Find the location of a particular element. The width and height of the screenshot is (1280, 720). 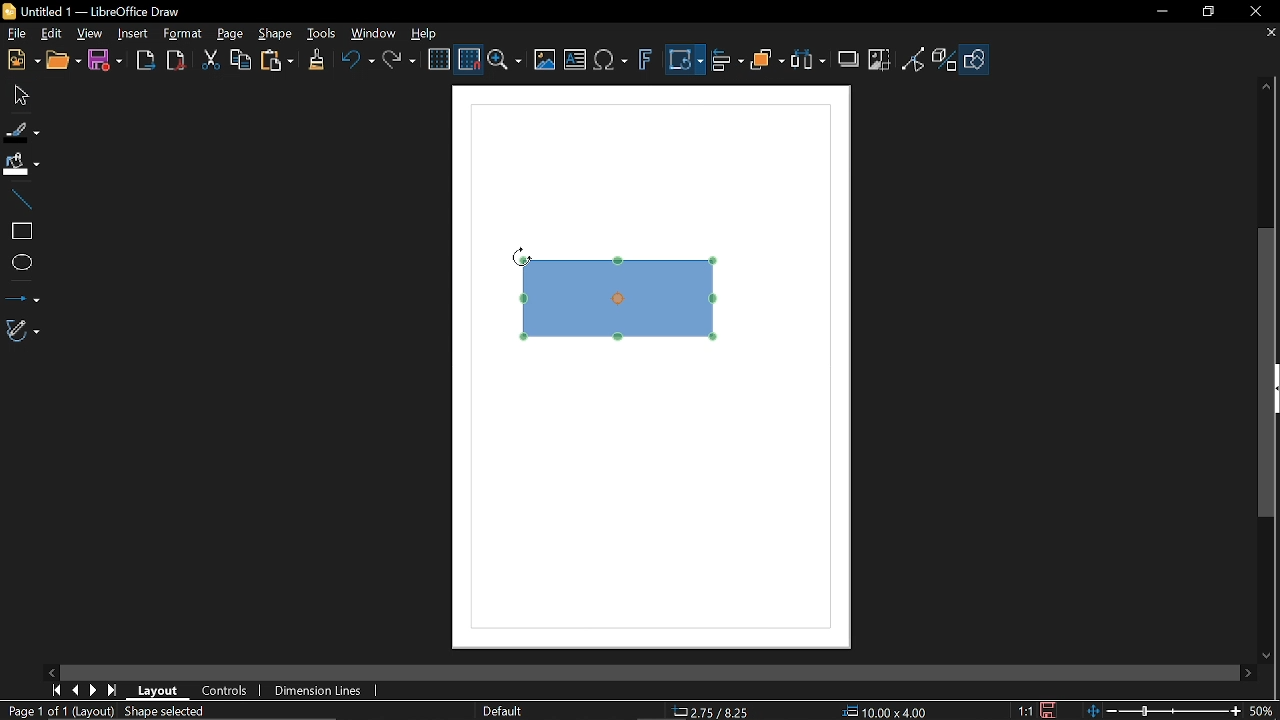

Page is located at coordinates (230, 33).